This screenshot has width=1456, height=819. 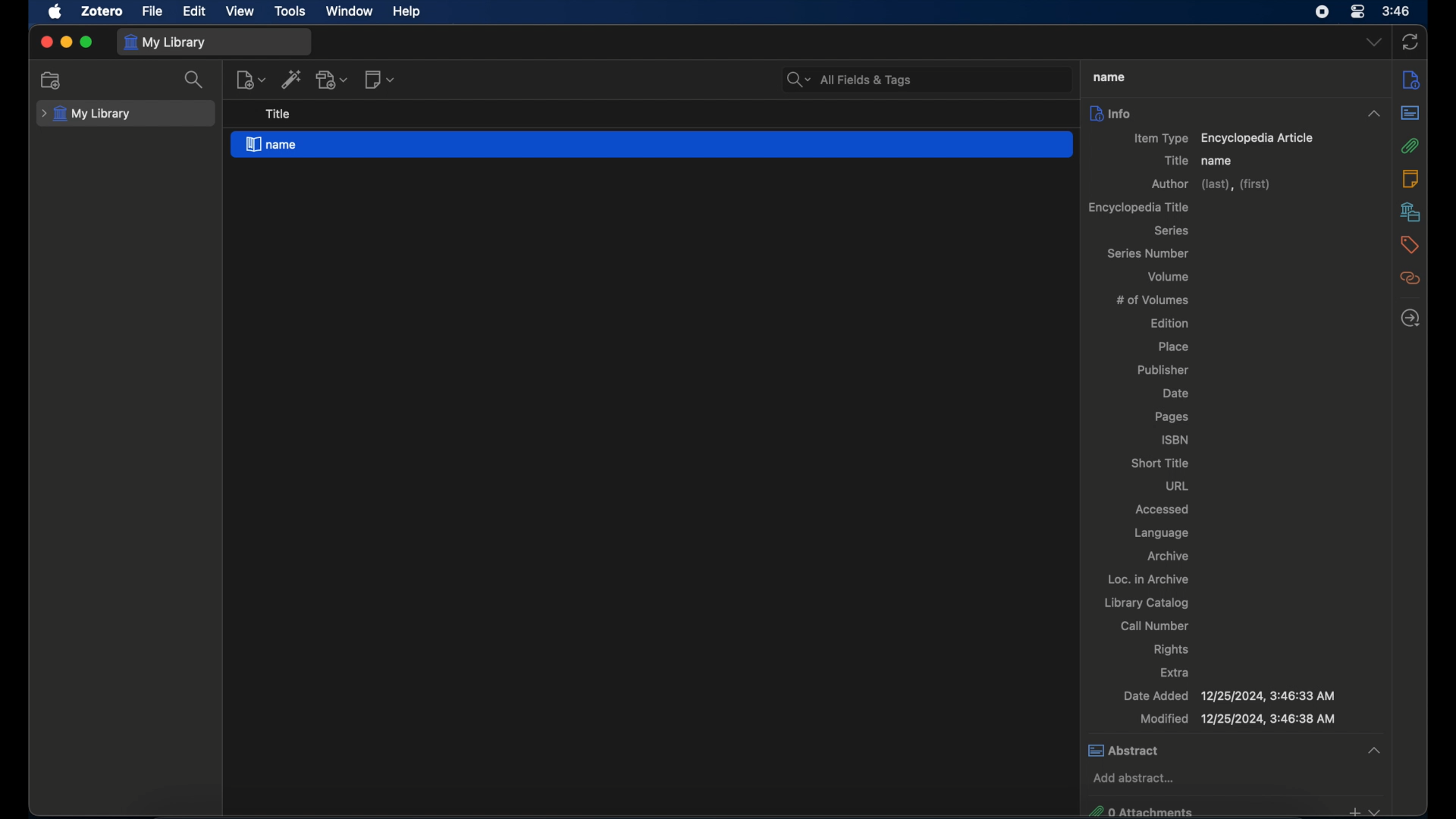 I want to click on no of volumes, so click(x=1153, y=299).